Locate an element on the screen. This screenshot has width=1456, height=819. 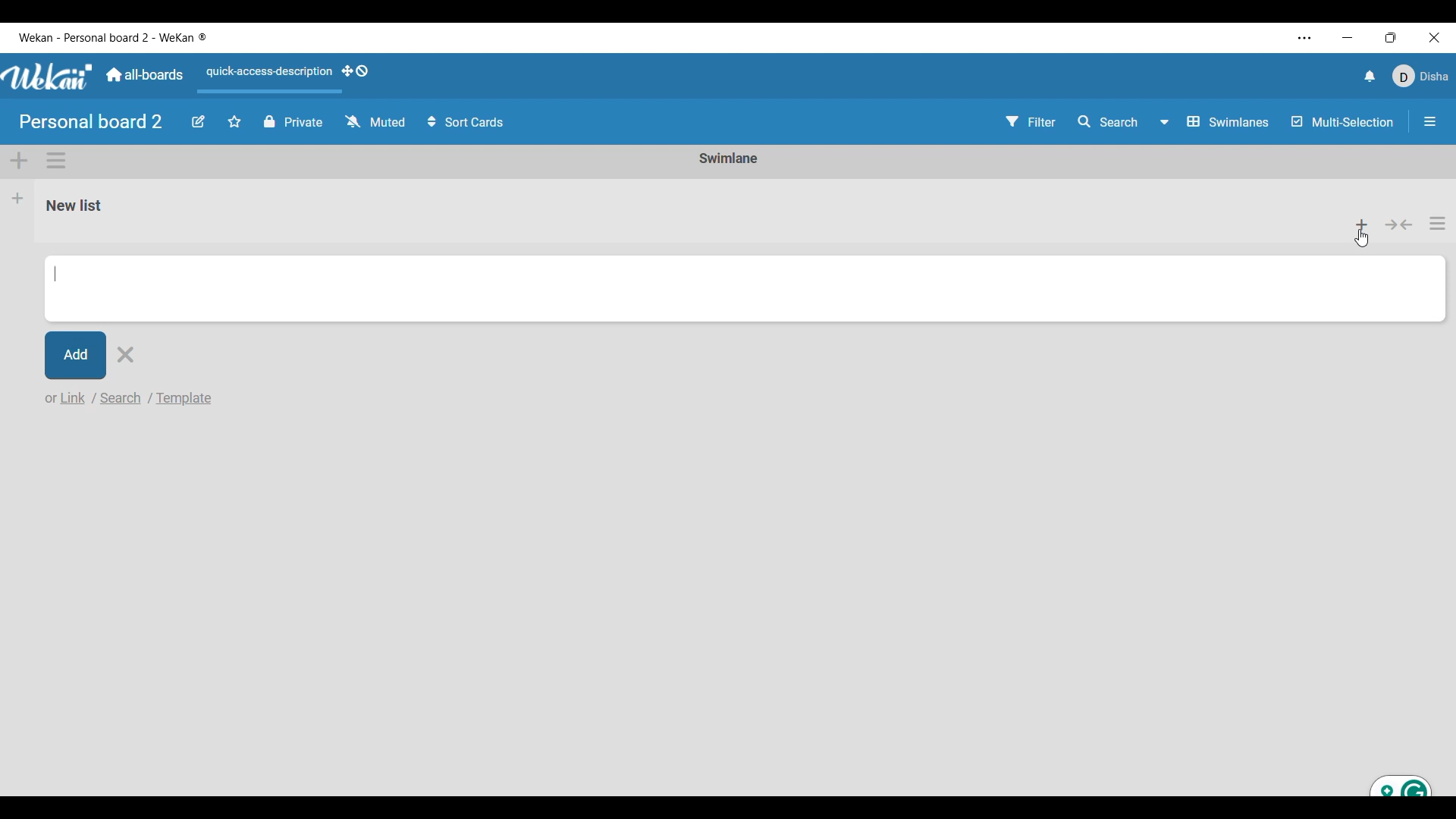
Toggle for Multi-selection is located at coordinates (1343, 121).